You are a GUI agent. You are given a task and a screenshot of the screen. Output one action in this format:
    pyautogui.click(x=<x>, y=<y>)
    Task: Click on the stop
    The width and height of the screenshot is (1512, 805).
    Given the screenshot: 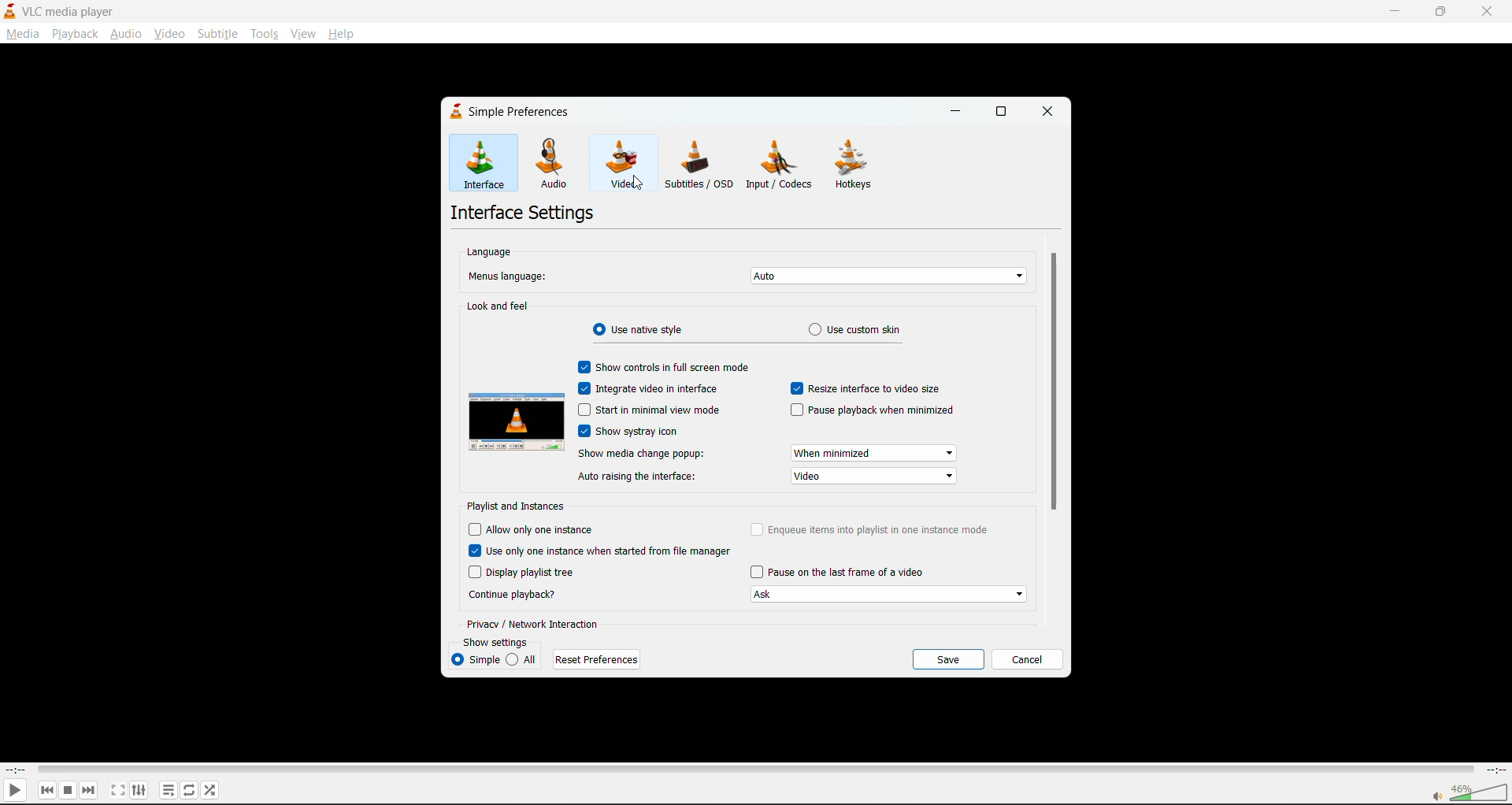 What is the action you would take?
    pyautogui.click(x=69, y=789)
    